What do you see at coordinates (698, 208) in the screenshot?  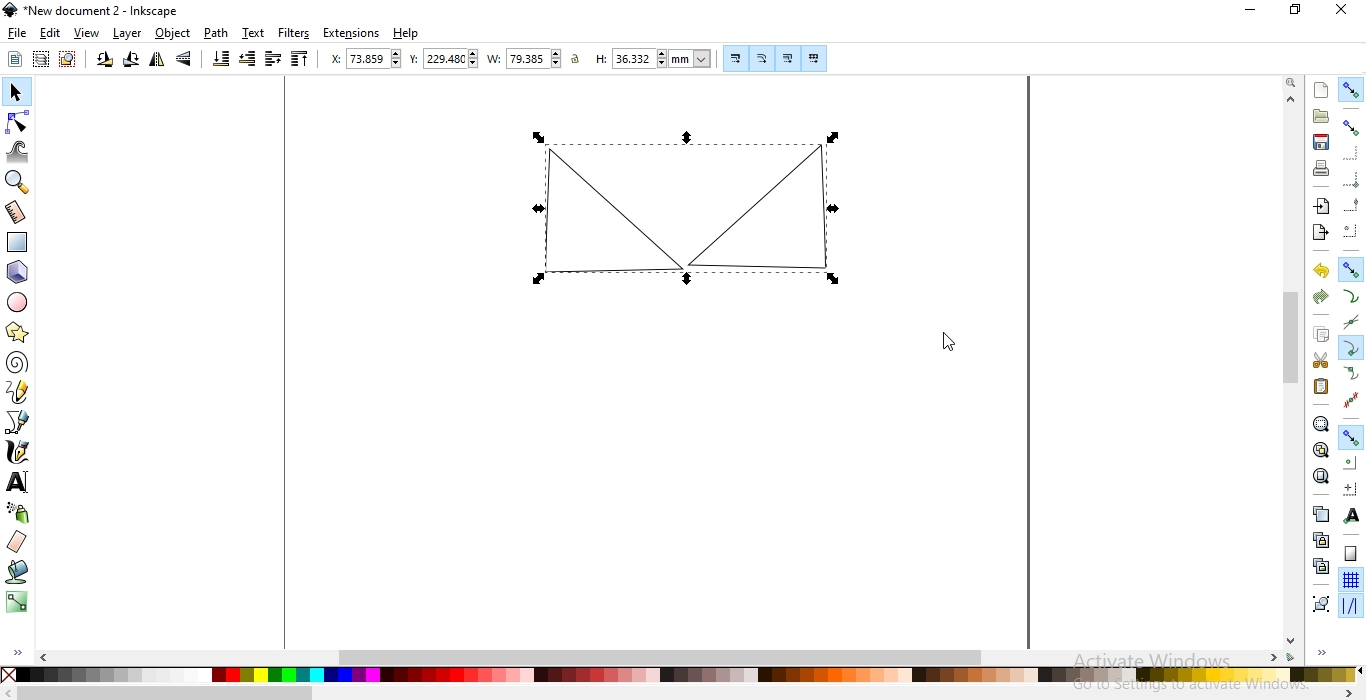 I see `object image` at bounding box center [698, 208].